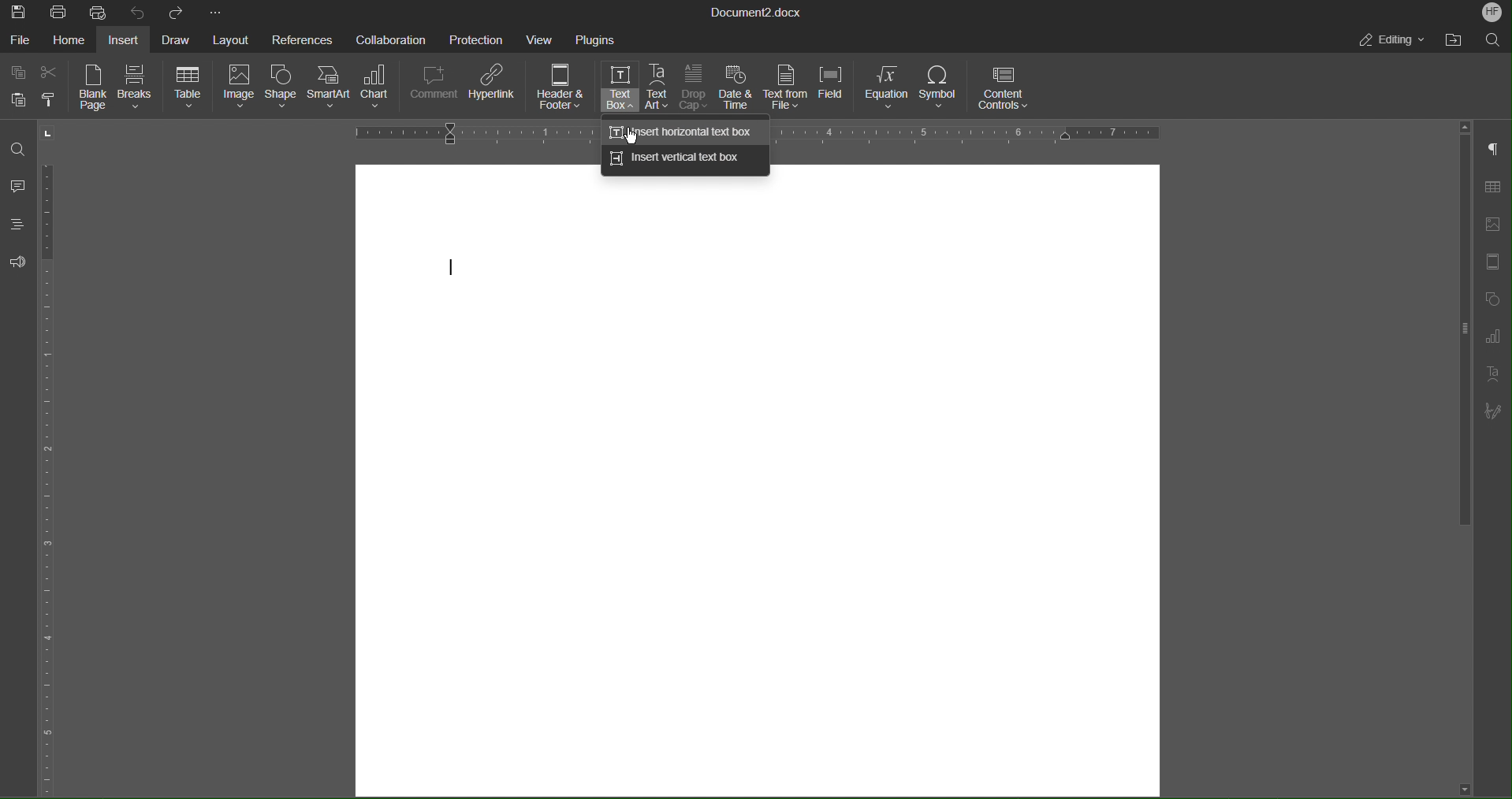  What do you see at coordinates (784, 87) in the screenshot?
I see `Text from File` at bounding box center [784, 87].